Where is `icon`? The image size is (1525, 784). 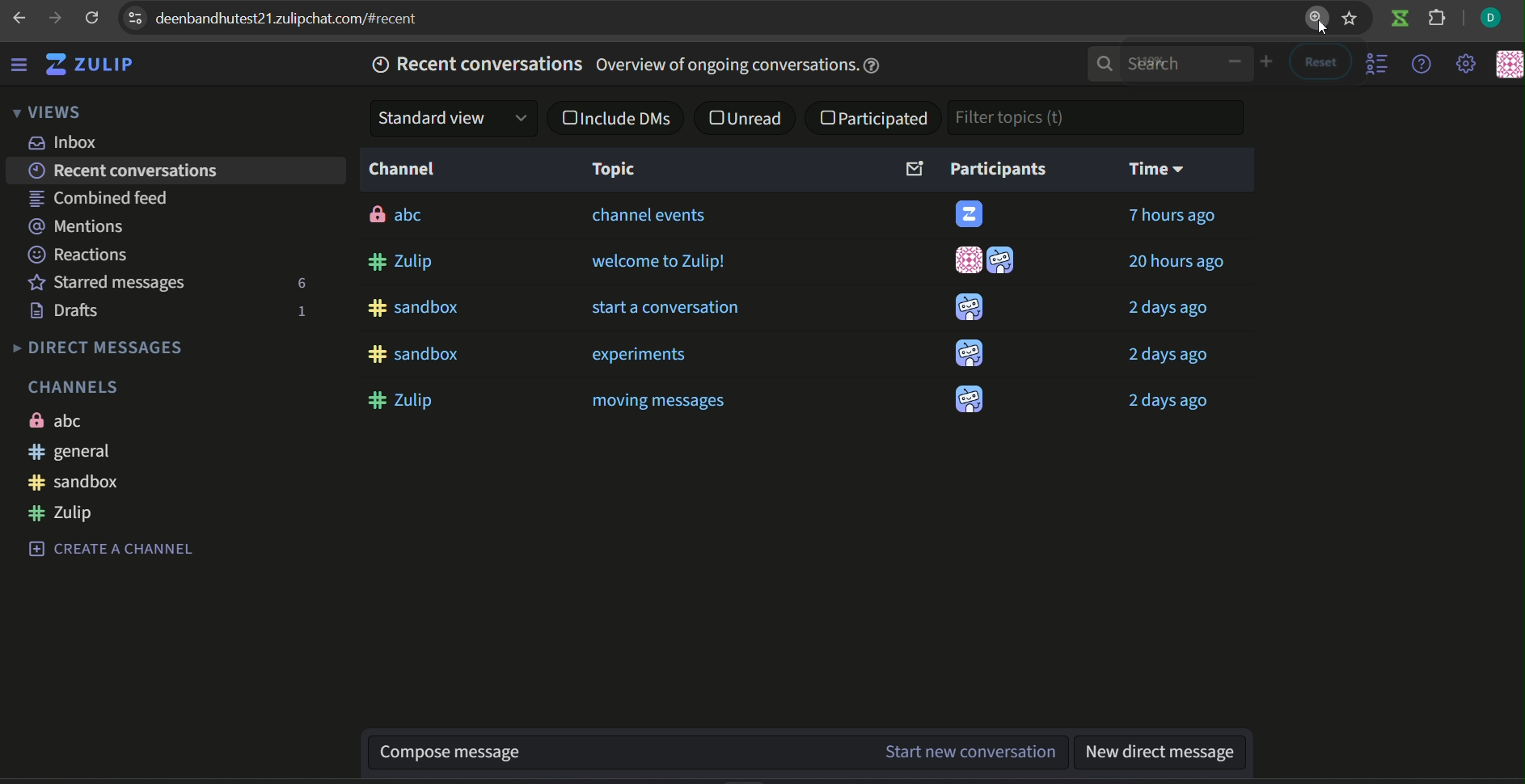 icon is located at coordinates (1507, 65).